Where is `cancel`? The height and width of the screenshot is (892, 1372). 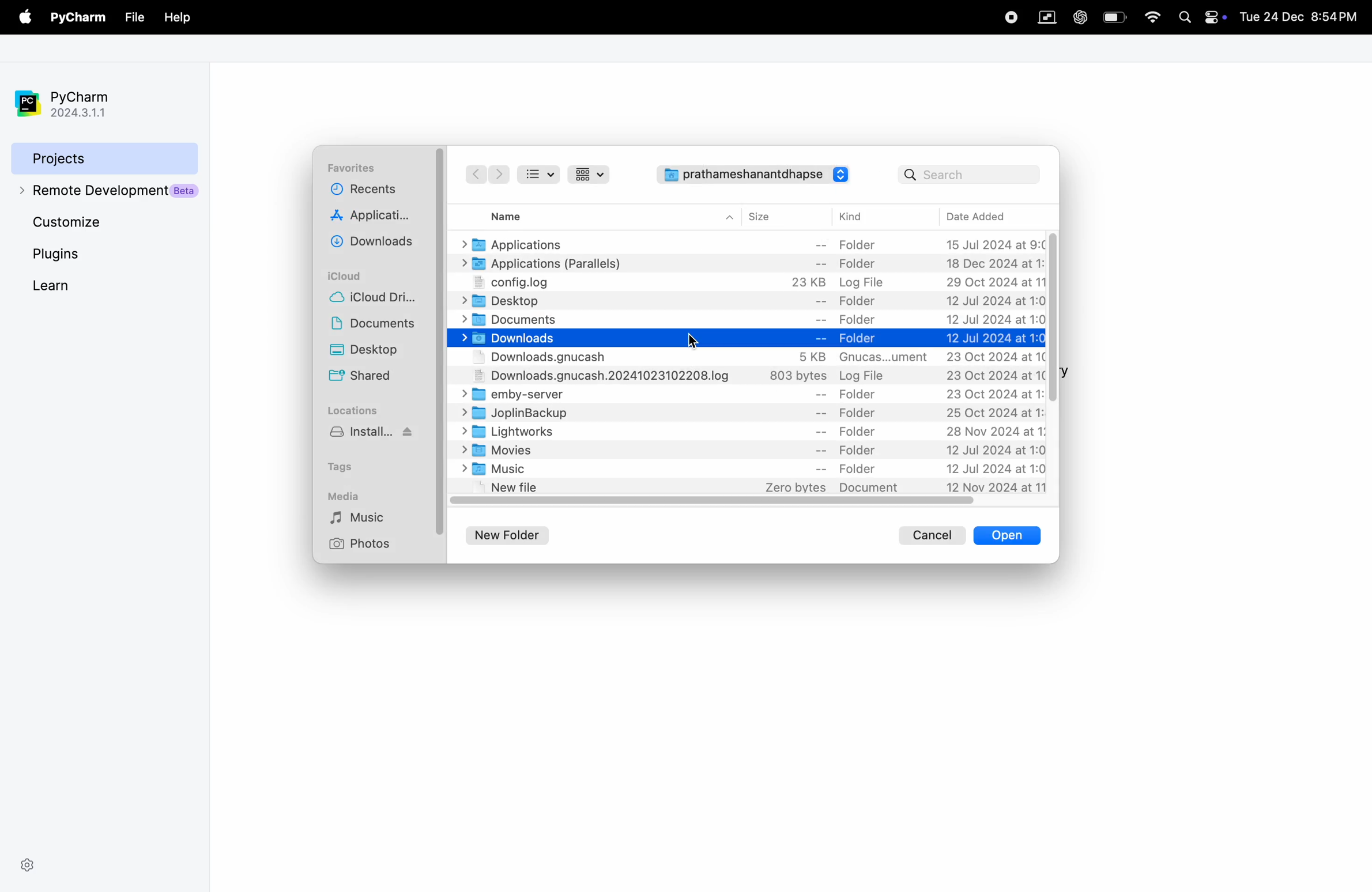
cancel is located at coordinates (933, 534).